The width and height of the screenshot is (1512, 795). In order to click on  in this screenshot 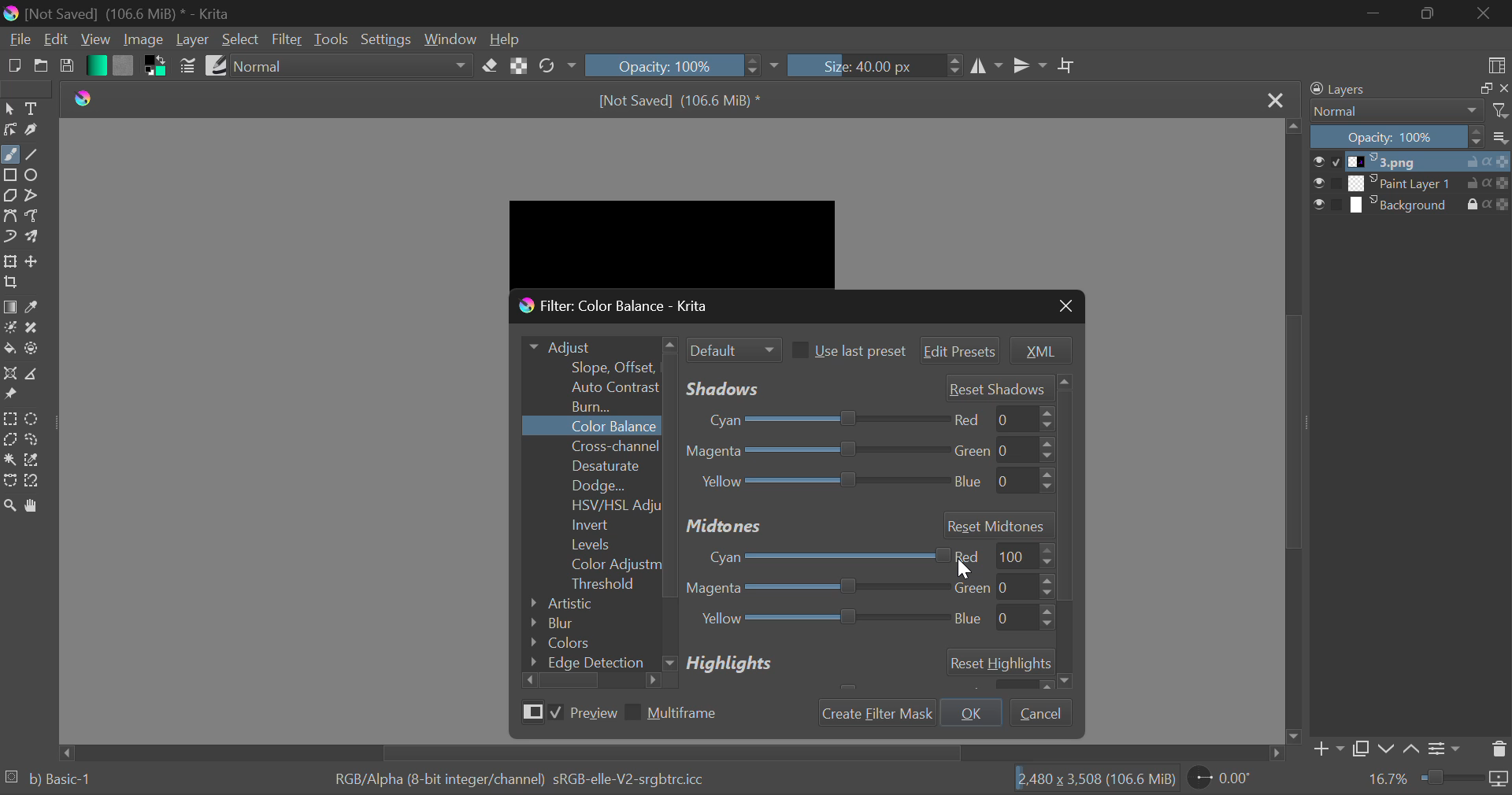, I will do `click(1063, 532)`.